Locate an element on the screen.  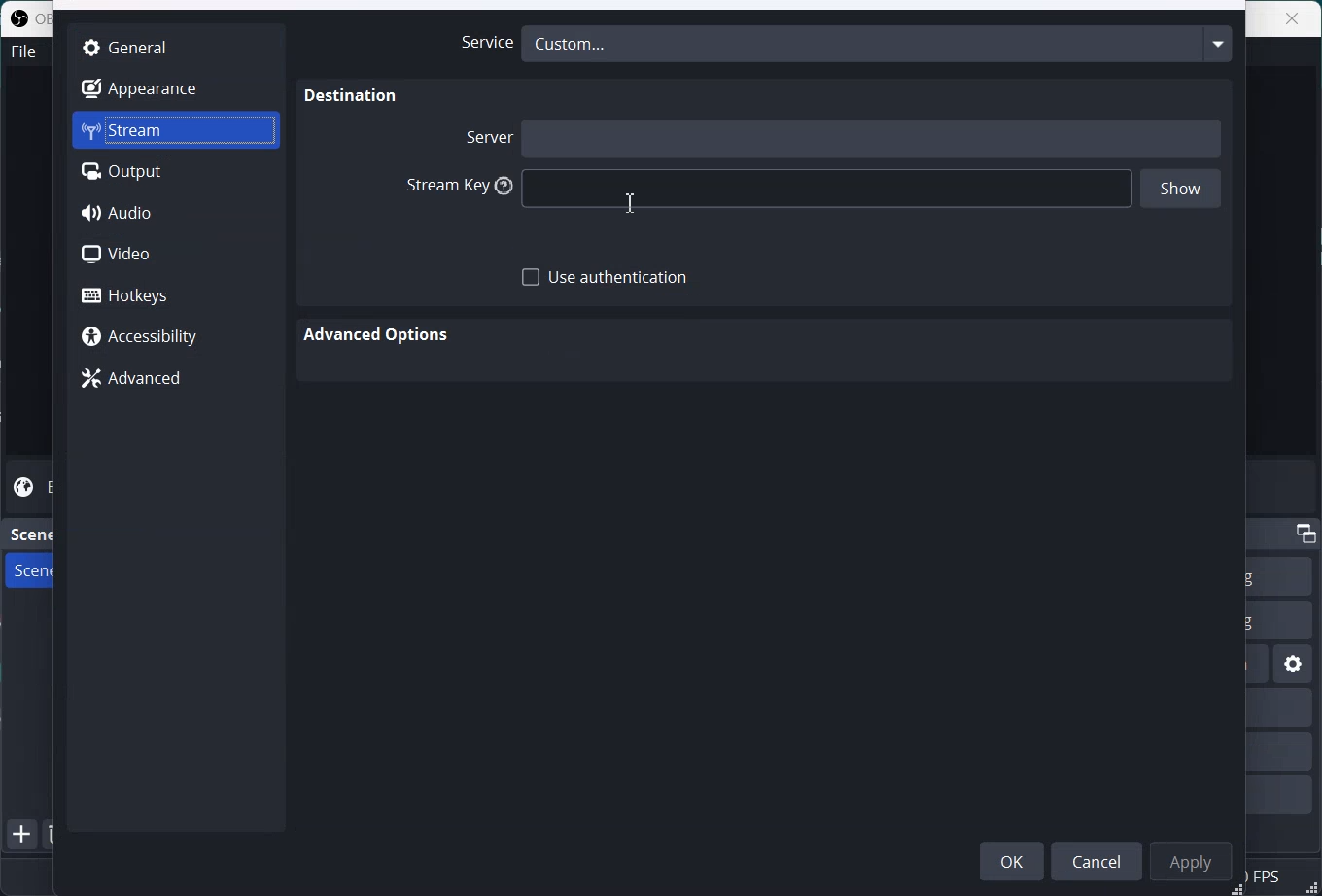
Video is located at coordinates (176, 254).